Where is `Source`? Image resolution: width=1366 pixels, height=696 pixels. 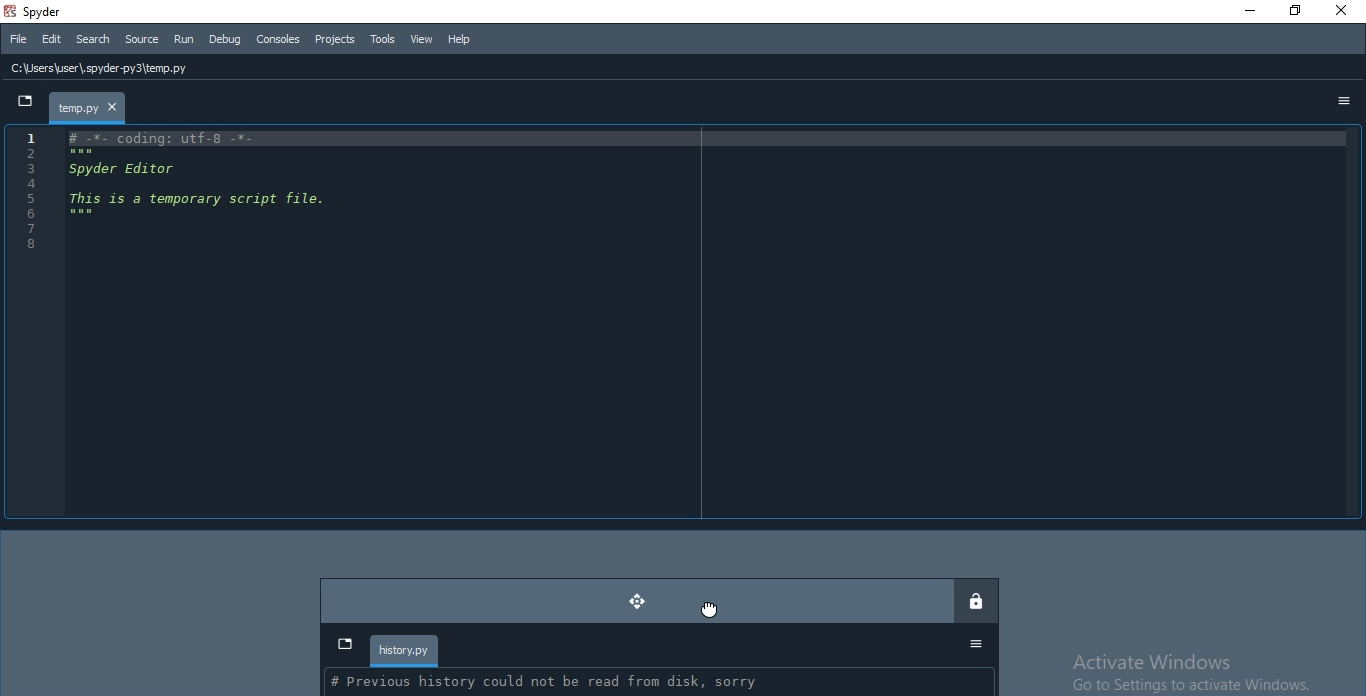
Source is located at coordinates (143, 39).